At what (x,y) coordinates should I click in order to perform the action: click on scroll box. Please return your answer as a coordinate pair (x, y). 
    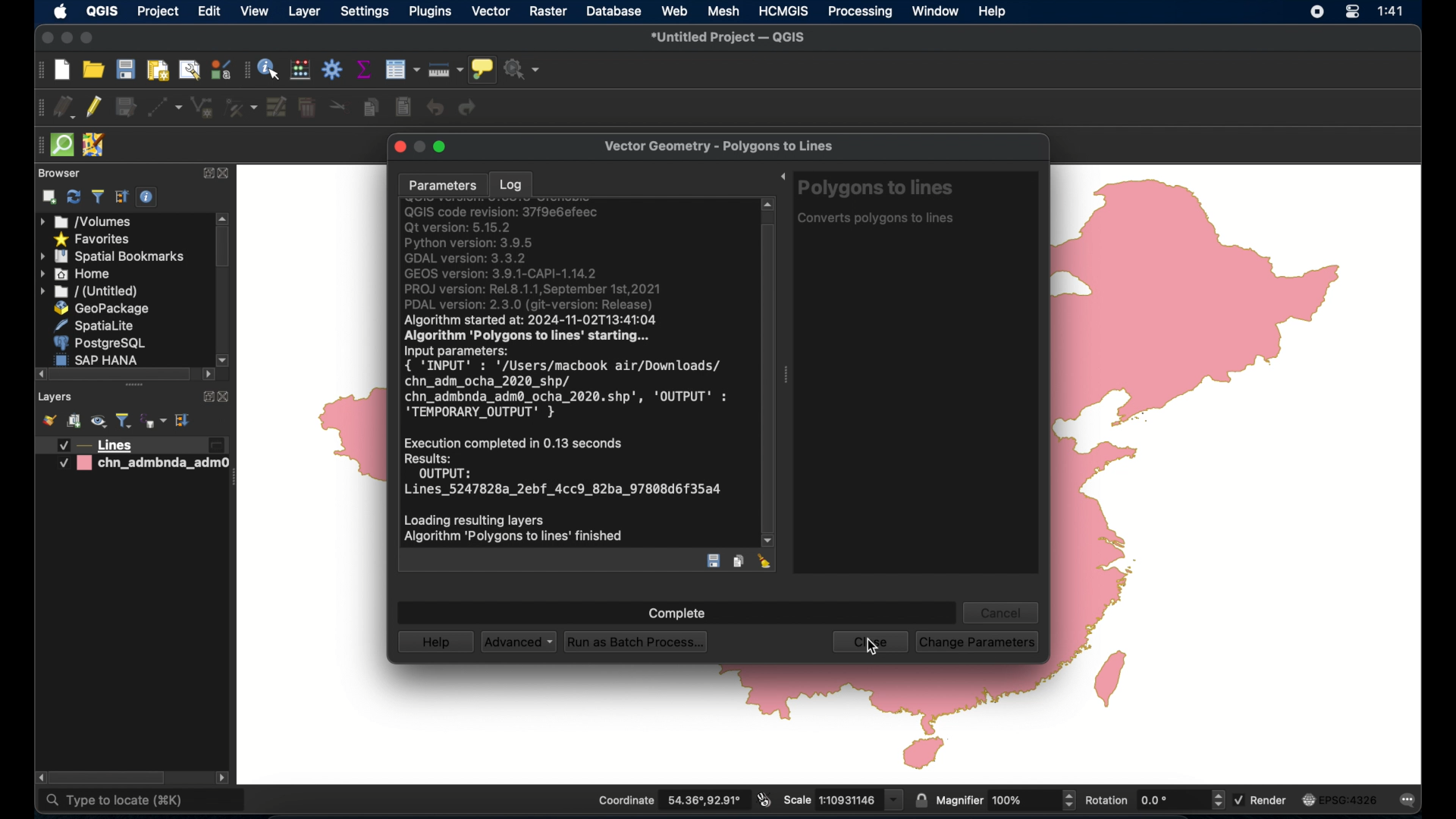
    Looking at the image, I should click on (119, 374).